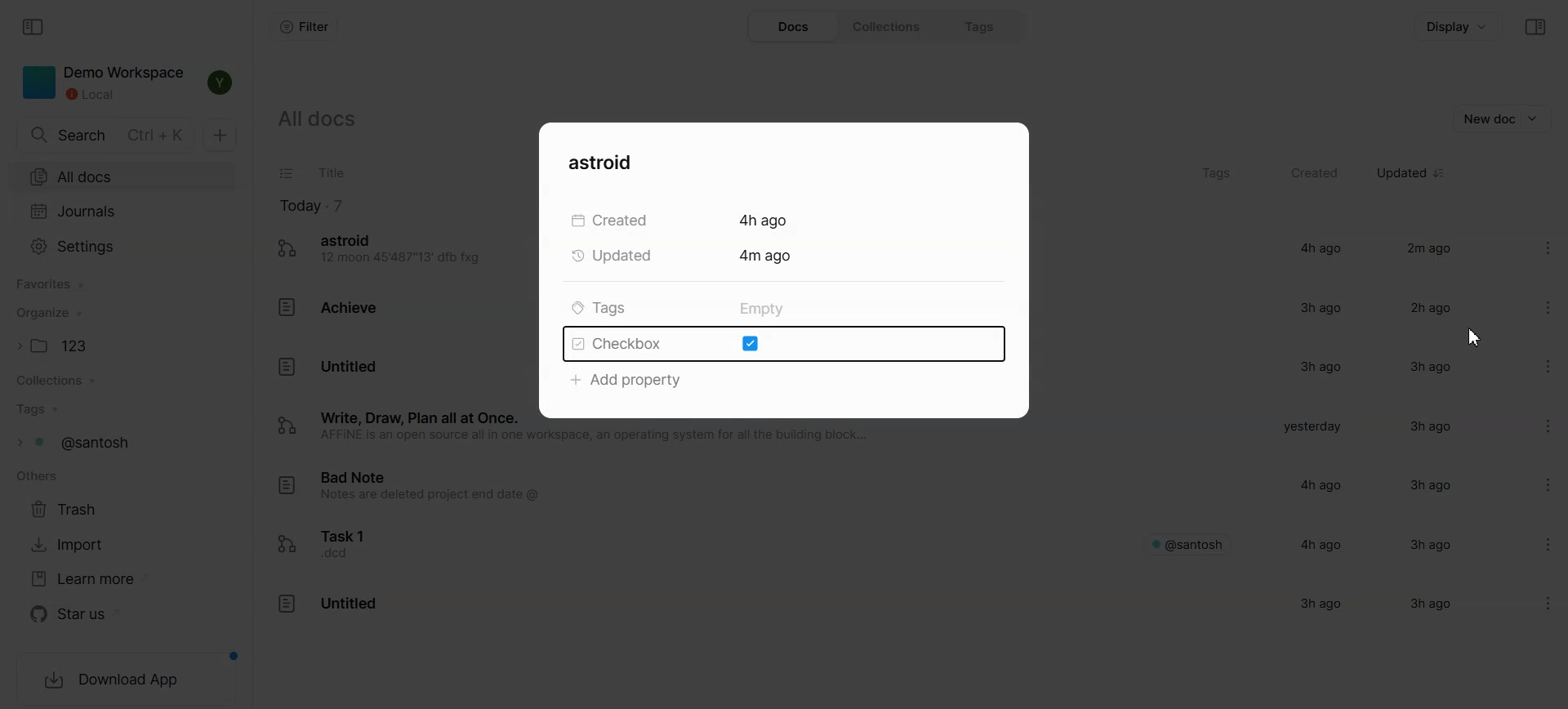 This screenshot has width=1568, height=709. What do you see at coordinates (222, 83) in the screenshot?
I see `Profile` at bounding box center [222, 83].